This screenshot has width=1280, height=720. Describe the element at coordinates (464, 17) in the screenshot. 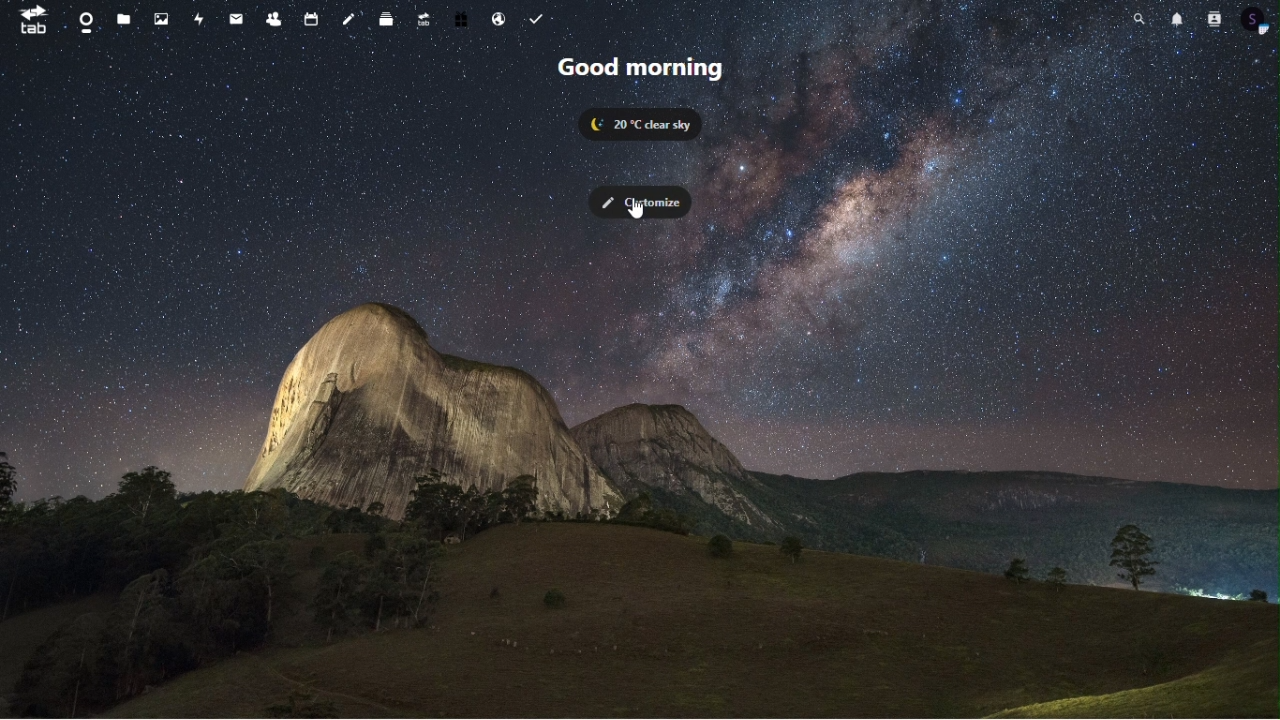

I see `free trial` at that location.